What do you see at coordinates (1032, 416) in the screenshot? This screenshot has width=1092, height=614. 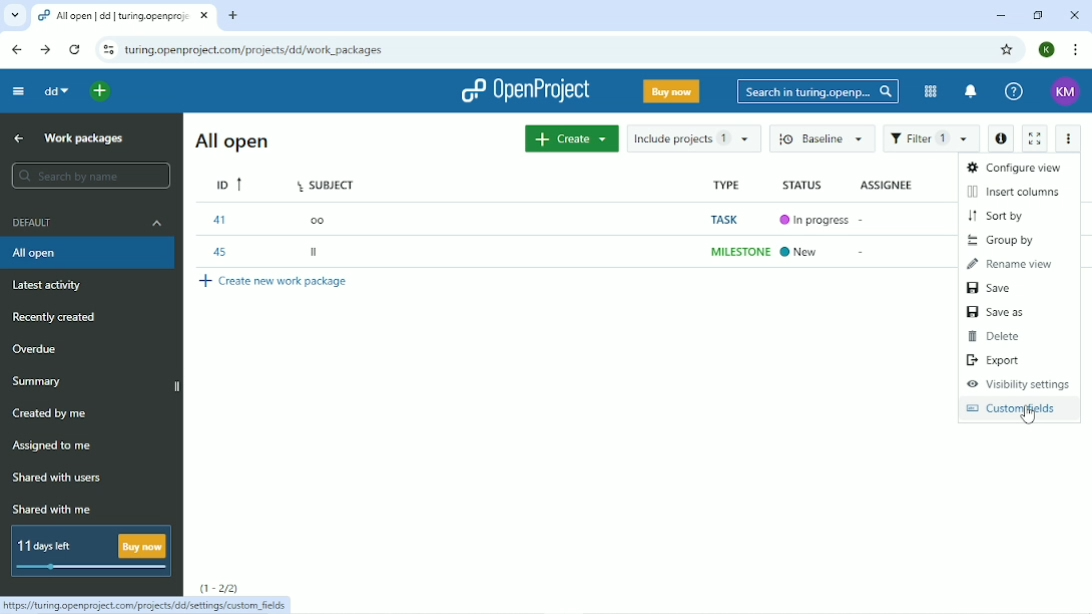 I see `cursor` at bounding box center [1032, 416].